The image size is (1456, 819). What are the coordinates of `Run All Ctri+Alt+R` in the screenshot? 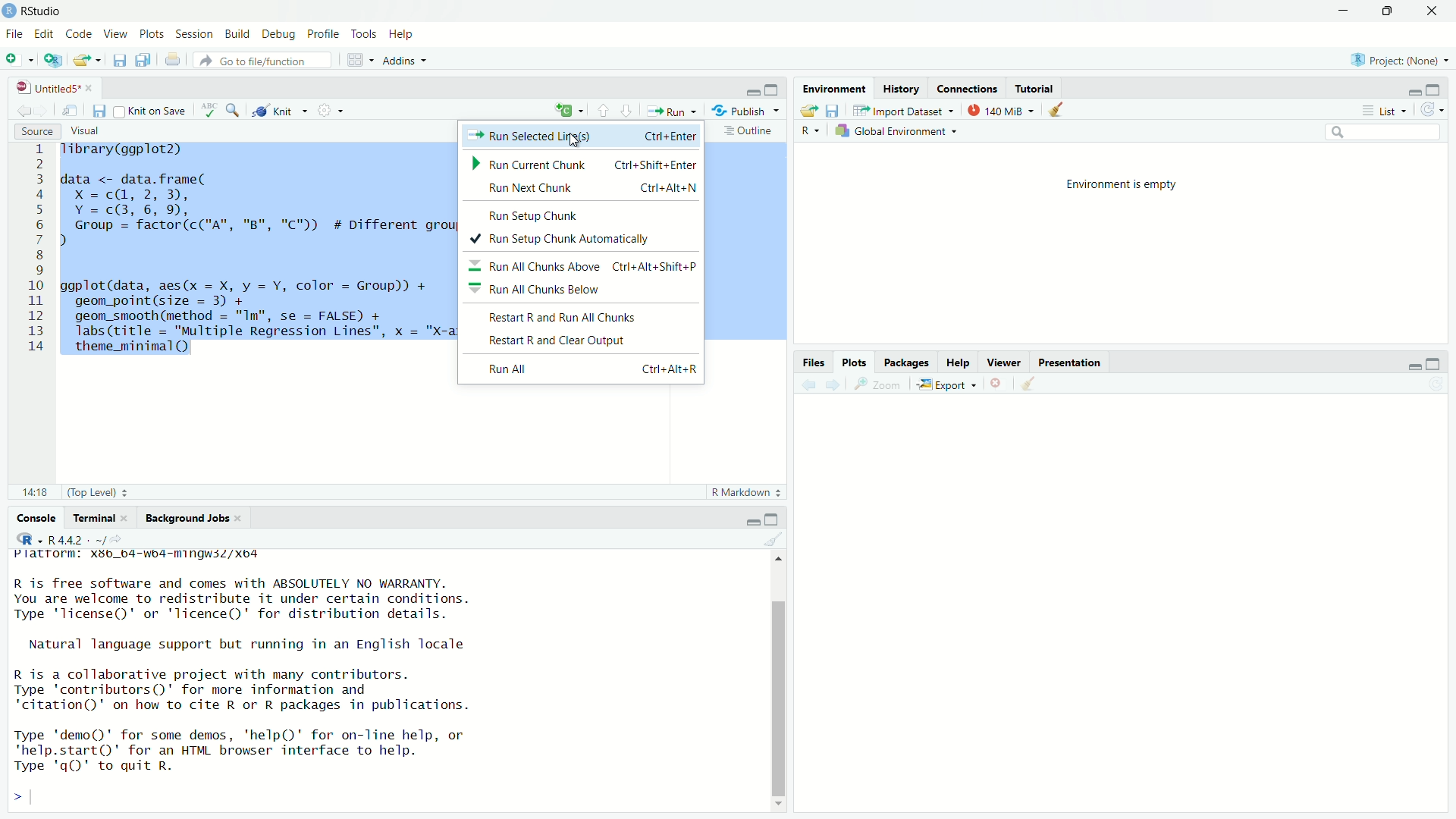 It's located at (595, 369).